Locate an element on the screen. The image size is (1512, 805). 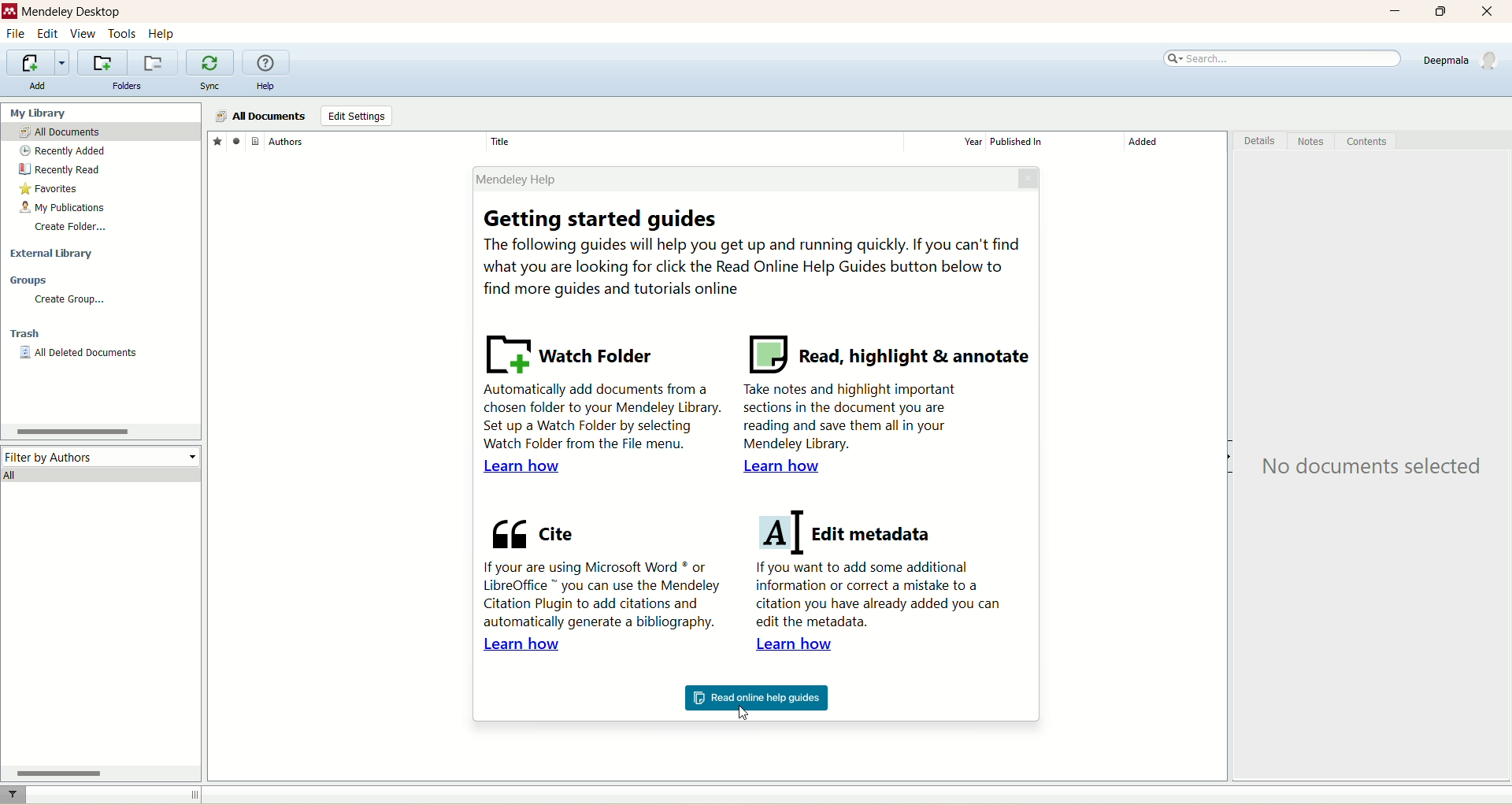
folders is located at coordinates (128, 86).